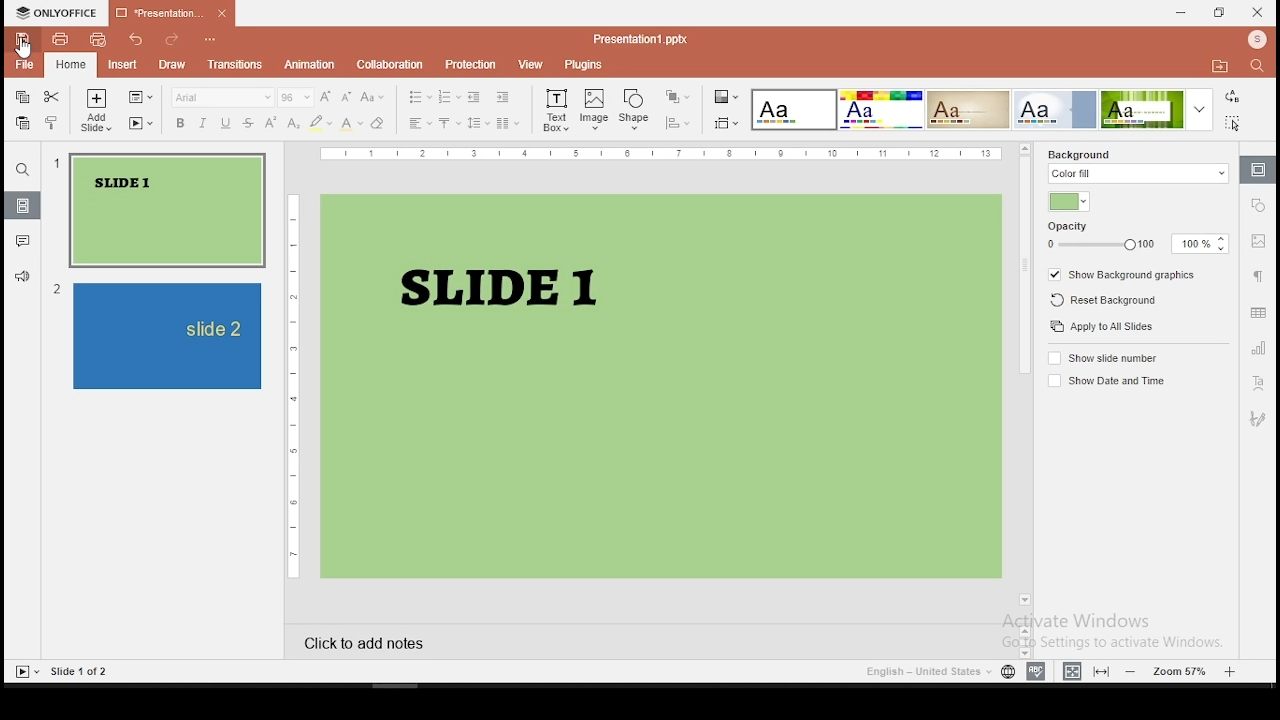 This screenshot has width=1280, height=720. What do you see at coordinates (223, 98) in the screenshot?
I see `font` at bounding box center [223, 98].